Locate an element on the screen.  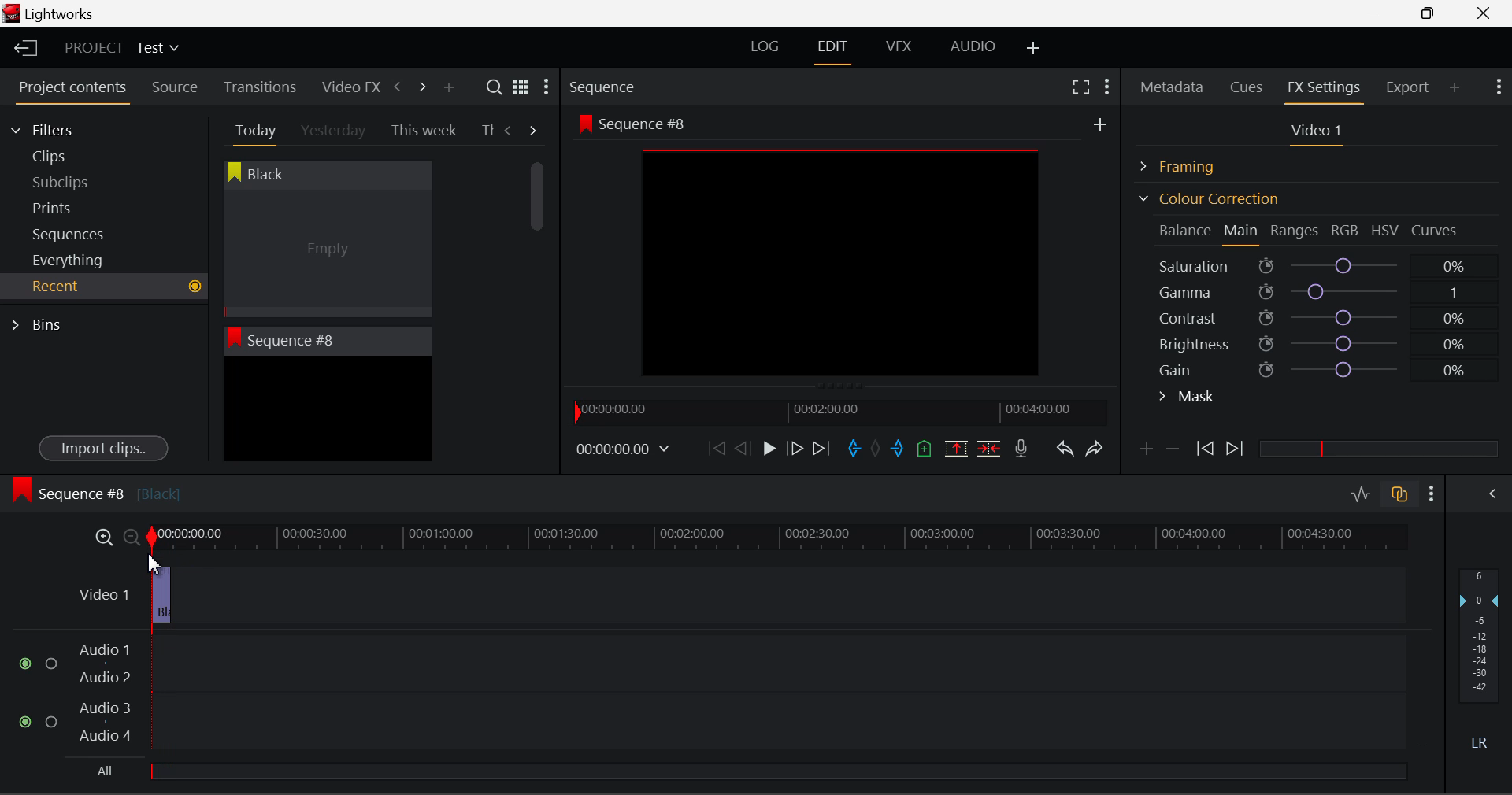
Mark Out is located at coordinates (899, 449).